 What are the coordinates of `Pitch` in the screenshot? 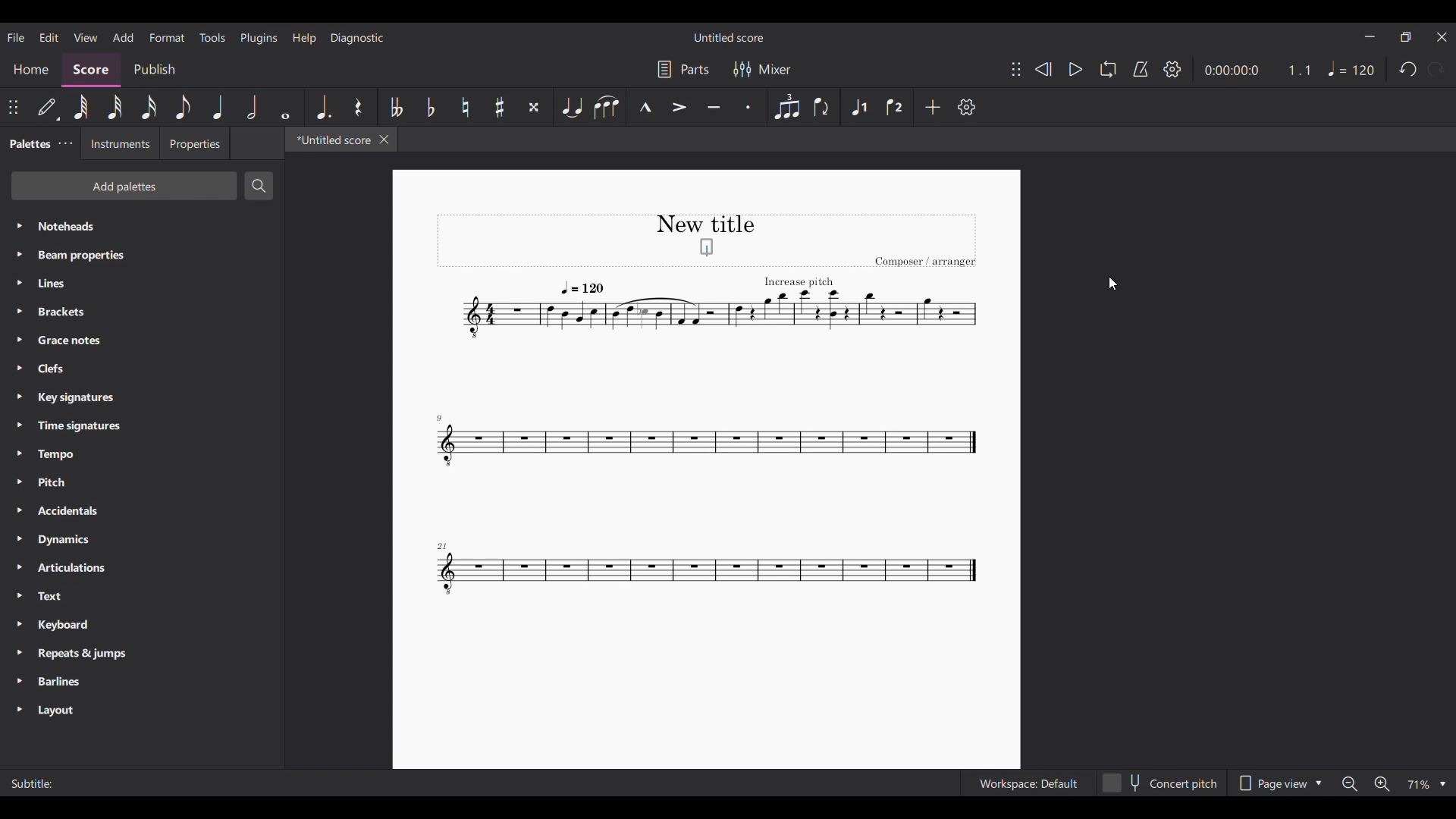 It's located at (142, 482).